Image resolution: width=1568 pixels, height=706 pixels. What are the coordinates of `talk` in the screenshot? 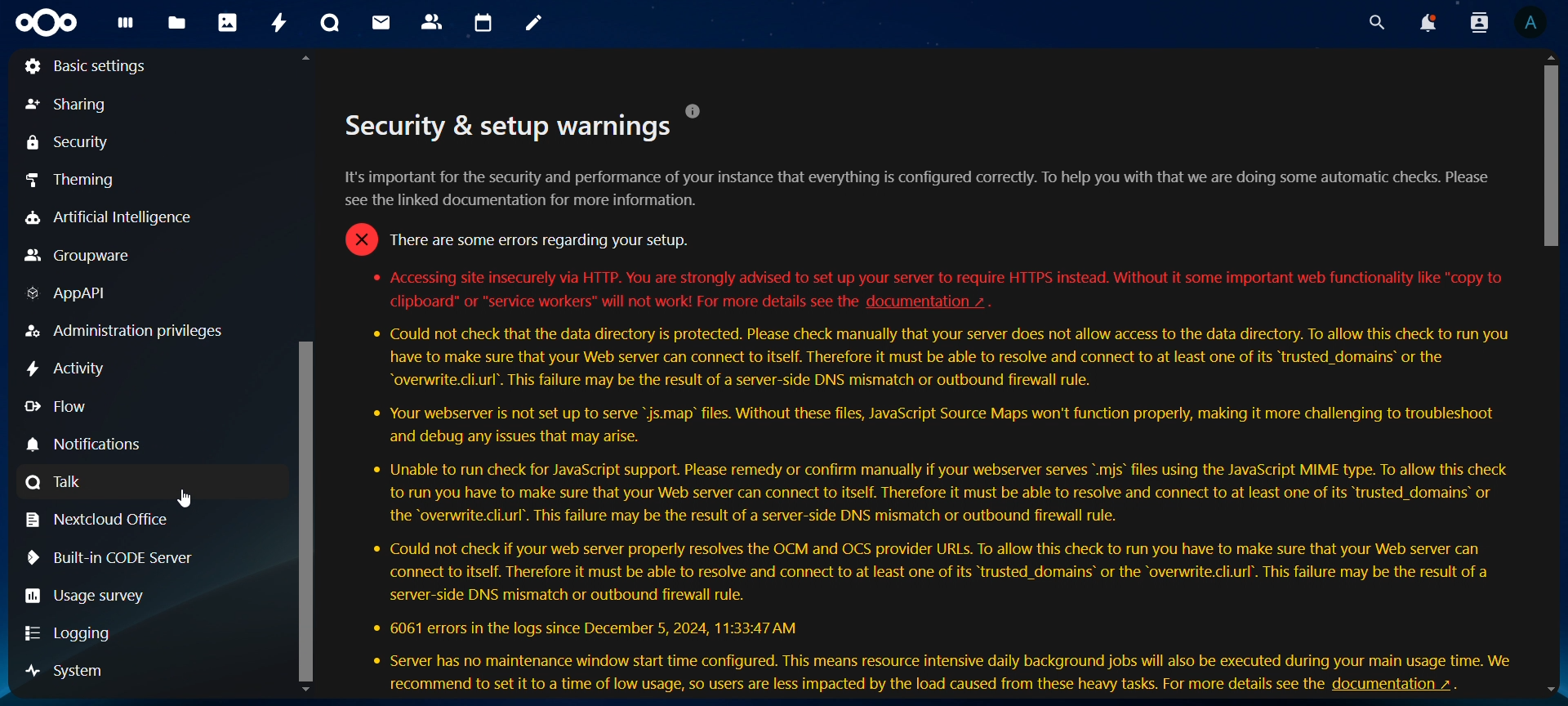 It's located at (73, 481).